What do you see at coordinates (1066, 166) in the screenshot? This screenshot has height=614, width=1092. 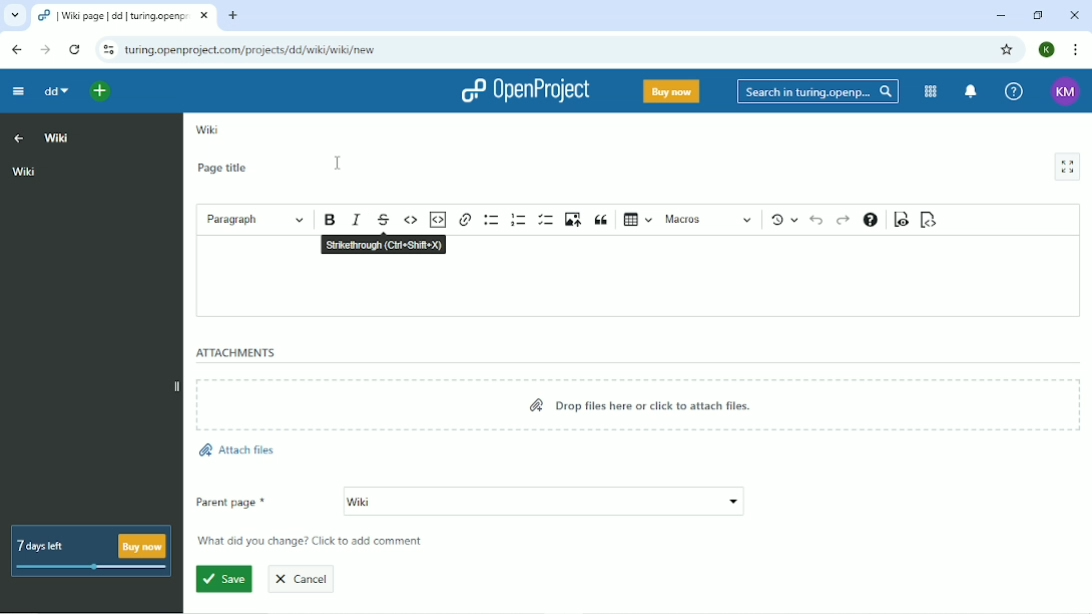 I see `Activate zen mode` at bounding box center [1066, 166].